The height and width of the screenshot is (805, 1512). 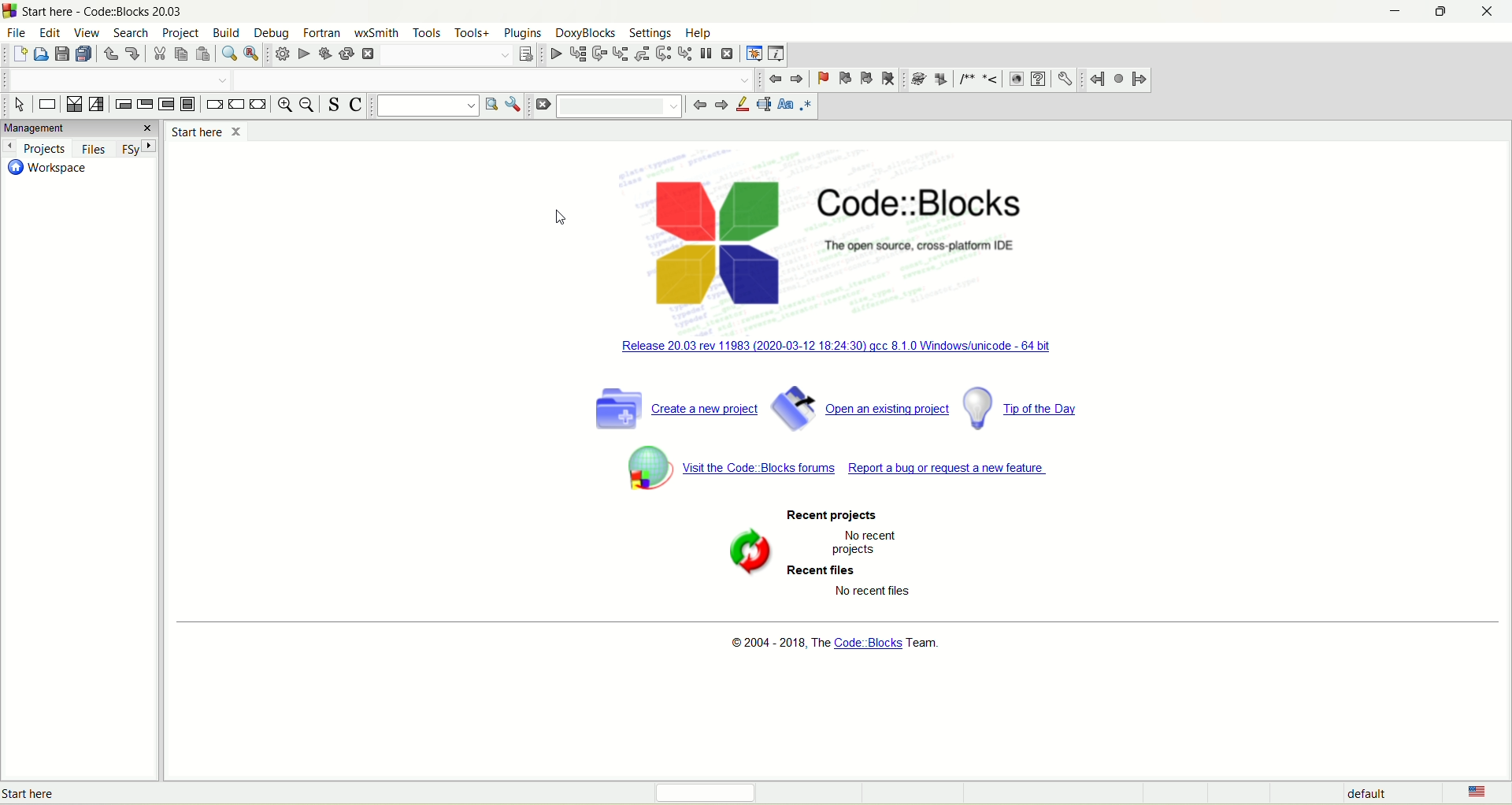 I want to click on back, so click(x=698, y=108).